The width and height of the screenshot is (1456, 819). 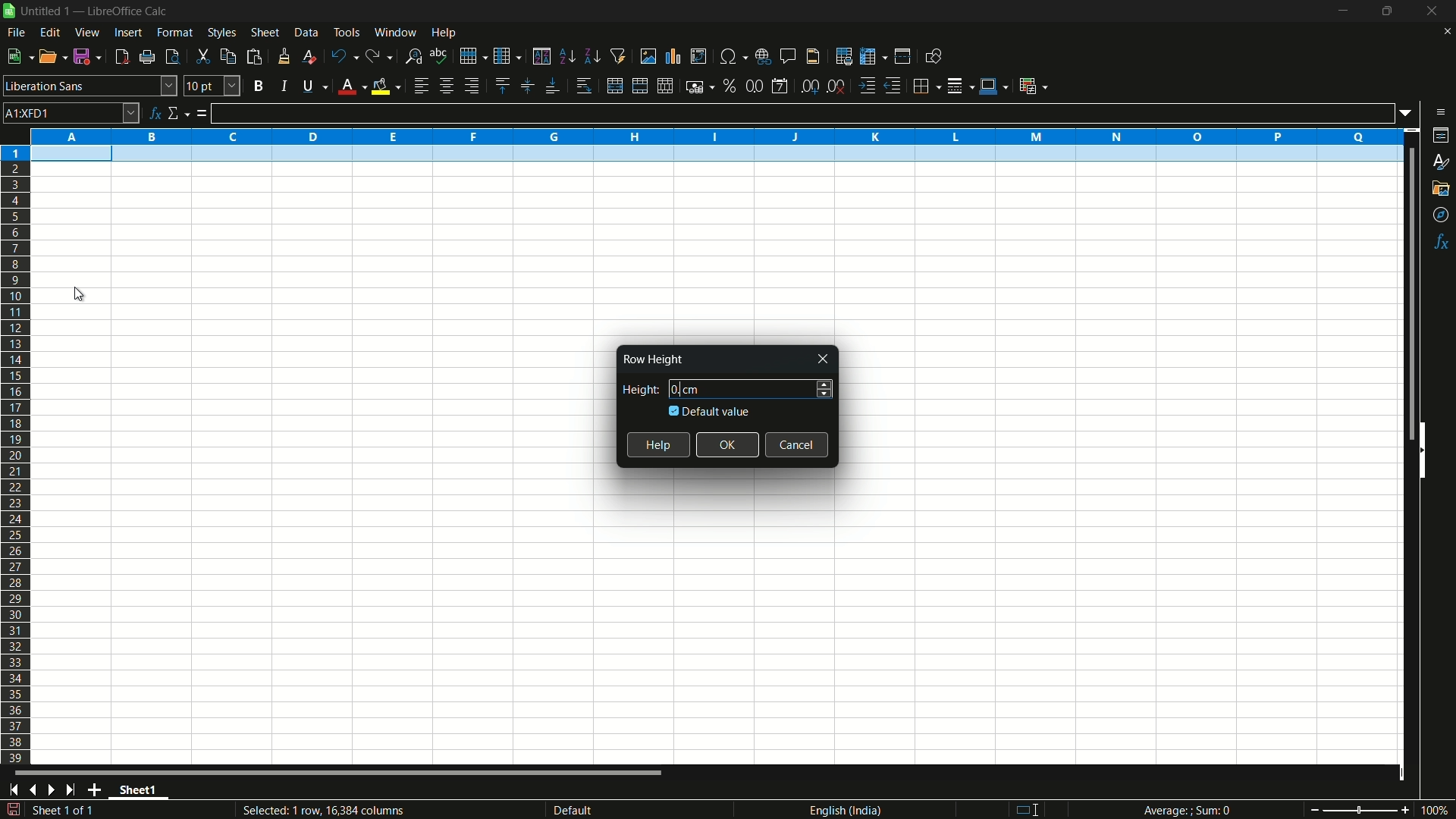 What do you see at coordinates (55, 789) in the screenshot?
I see `next sheet` at bounding box center [55, 789].